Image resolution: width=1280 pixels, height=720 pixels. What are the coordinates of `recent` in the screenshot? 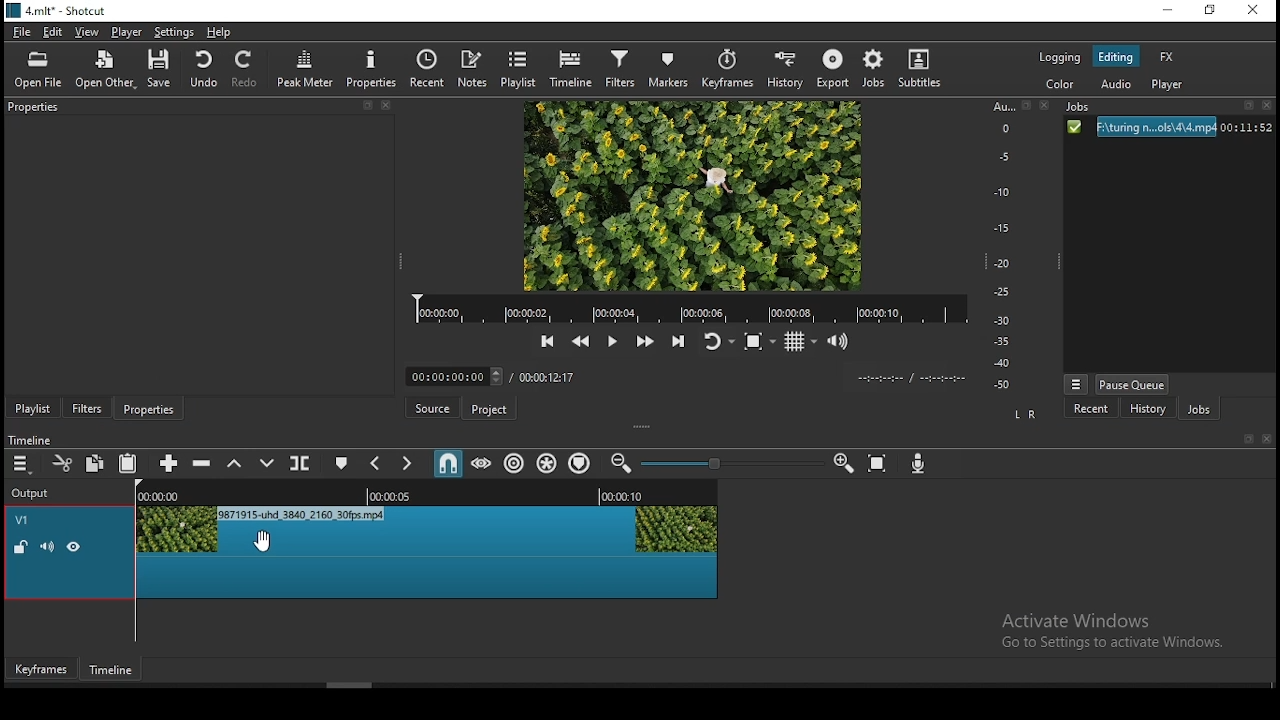 It's located at (432, 69).